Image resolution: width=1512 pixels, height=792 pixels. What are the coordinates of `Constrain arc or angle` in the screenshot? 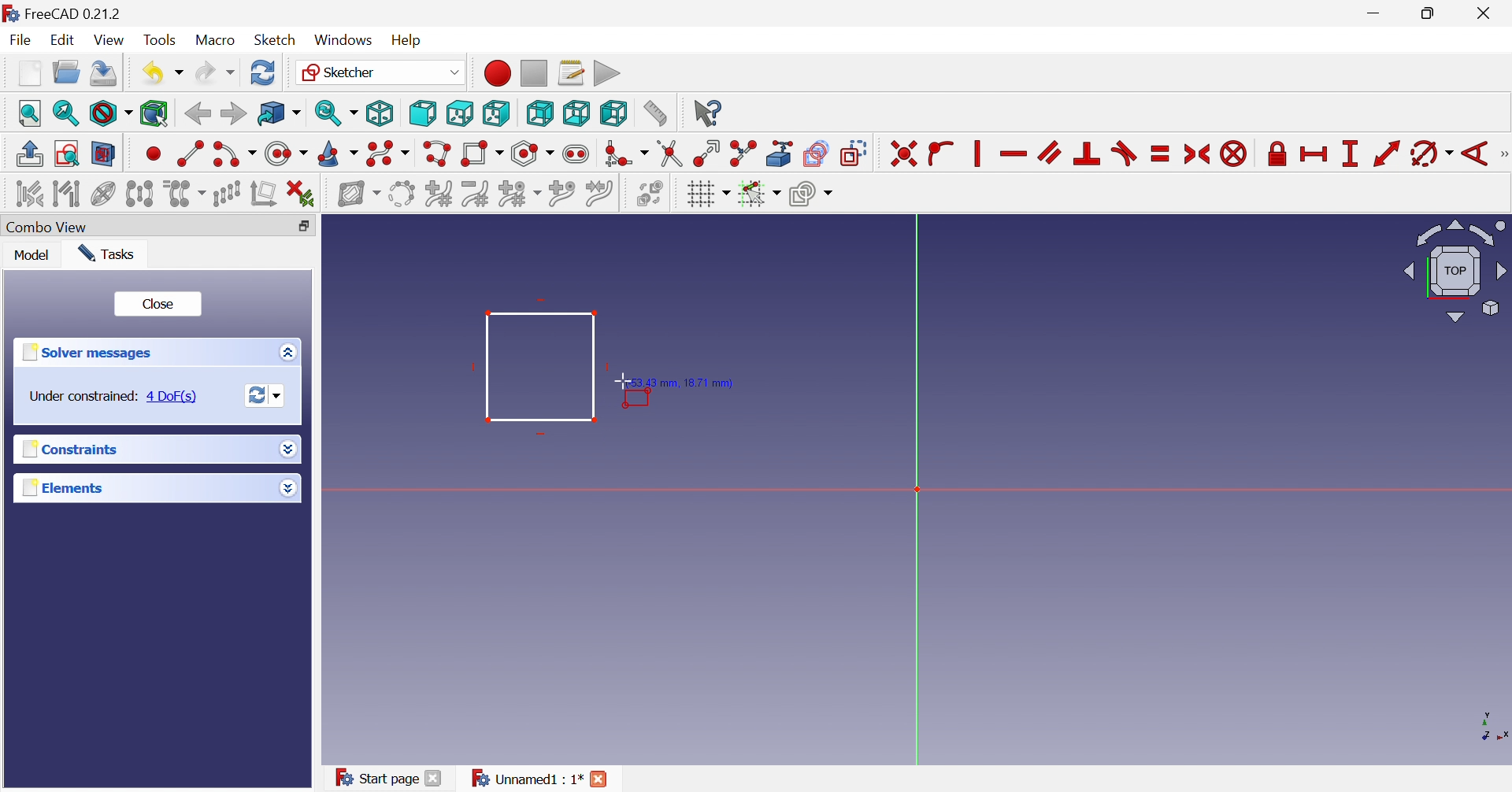 It's located at (1432, 154).